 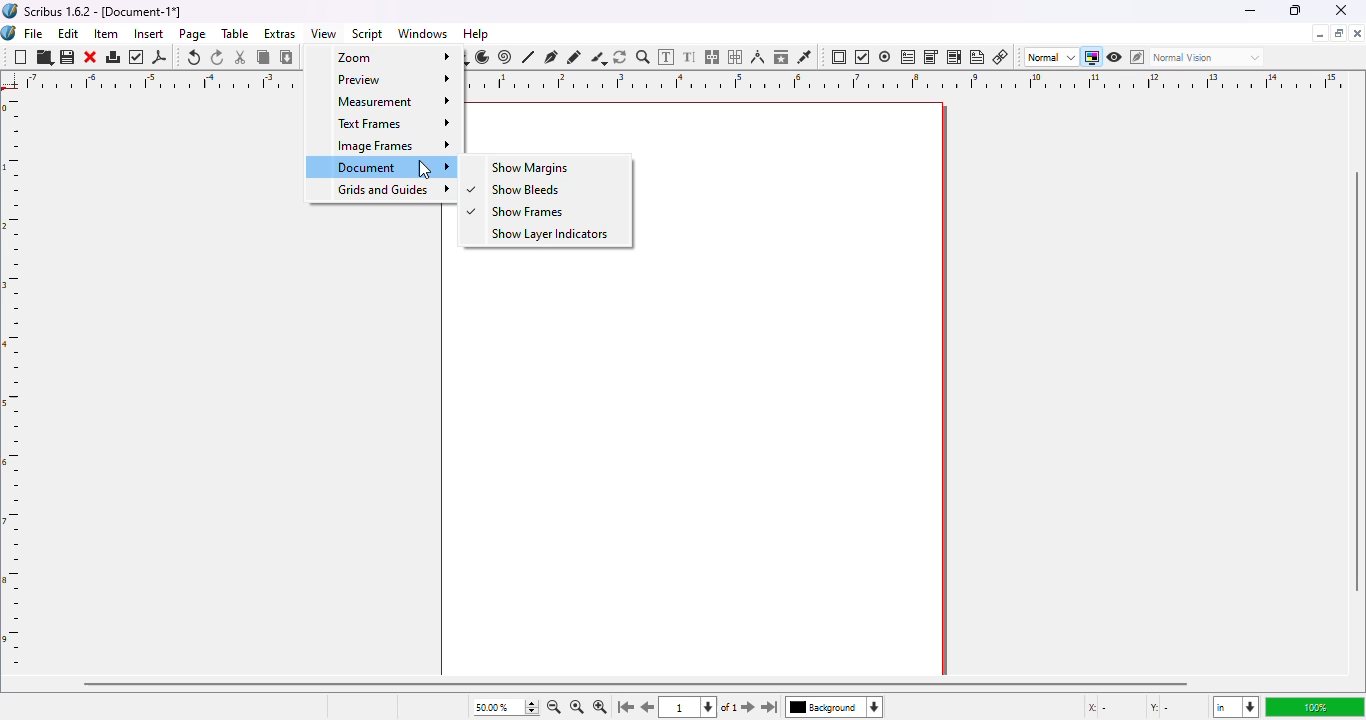 I want to click on go to the last page, so click(x=773, y=709).